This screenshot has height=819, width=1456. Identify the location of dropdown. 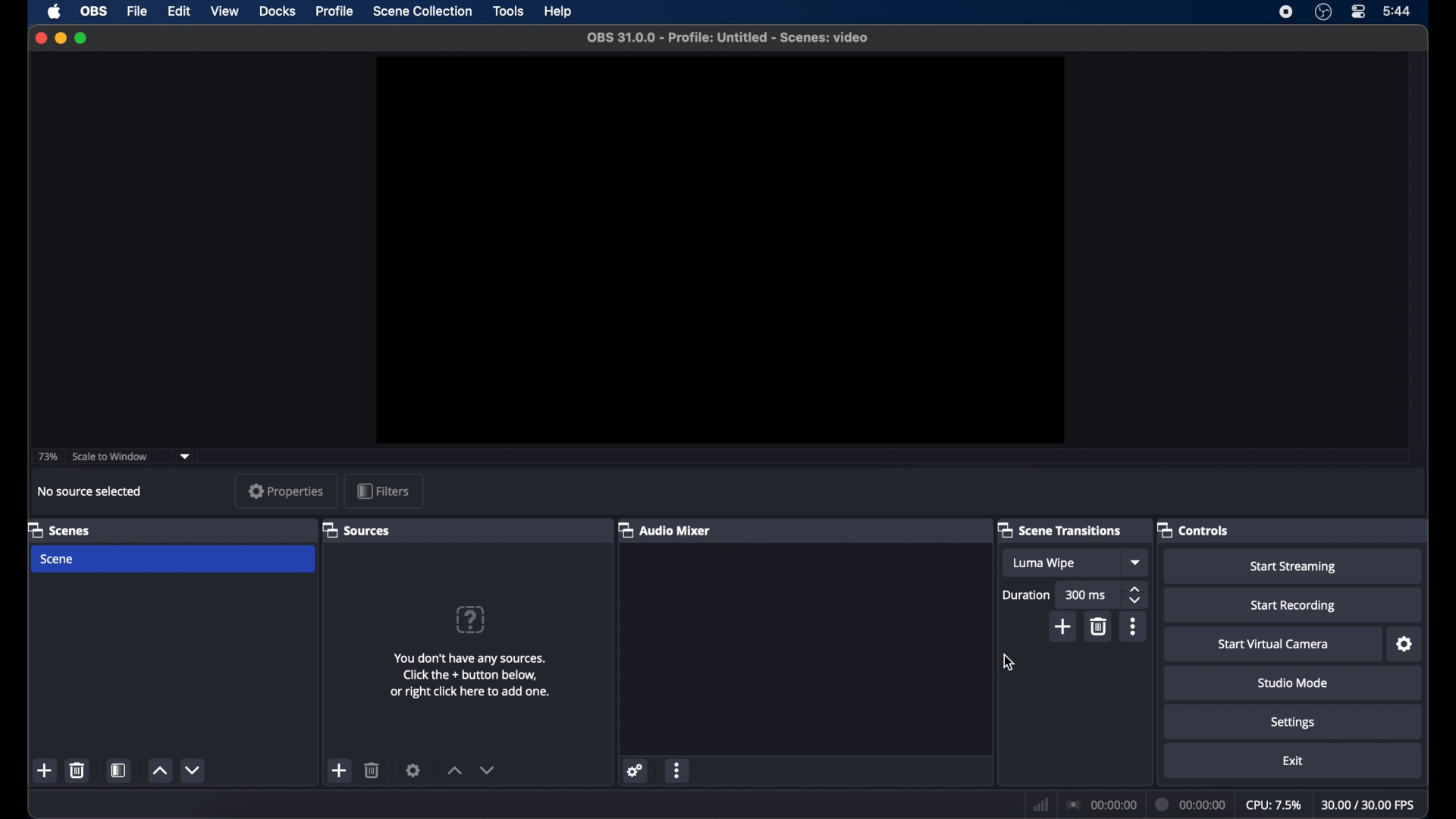
(1134, 561).